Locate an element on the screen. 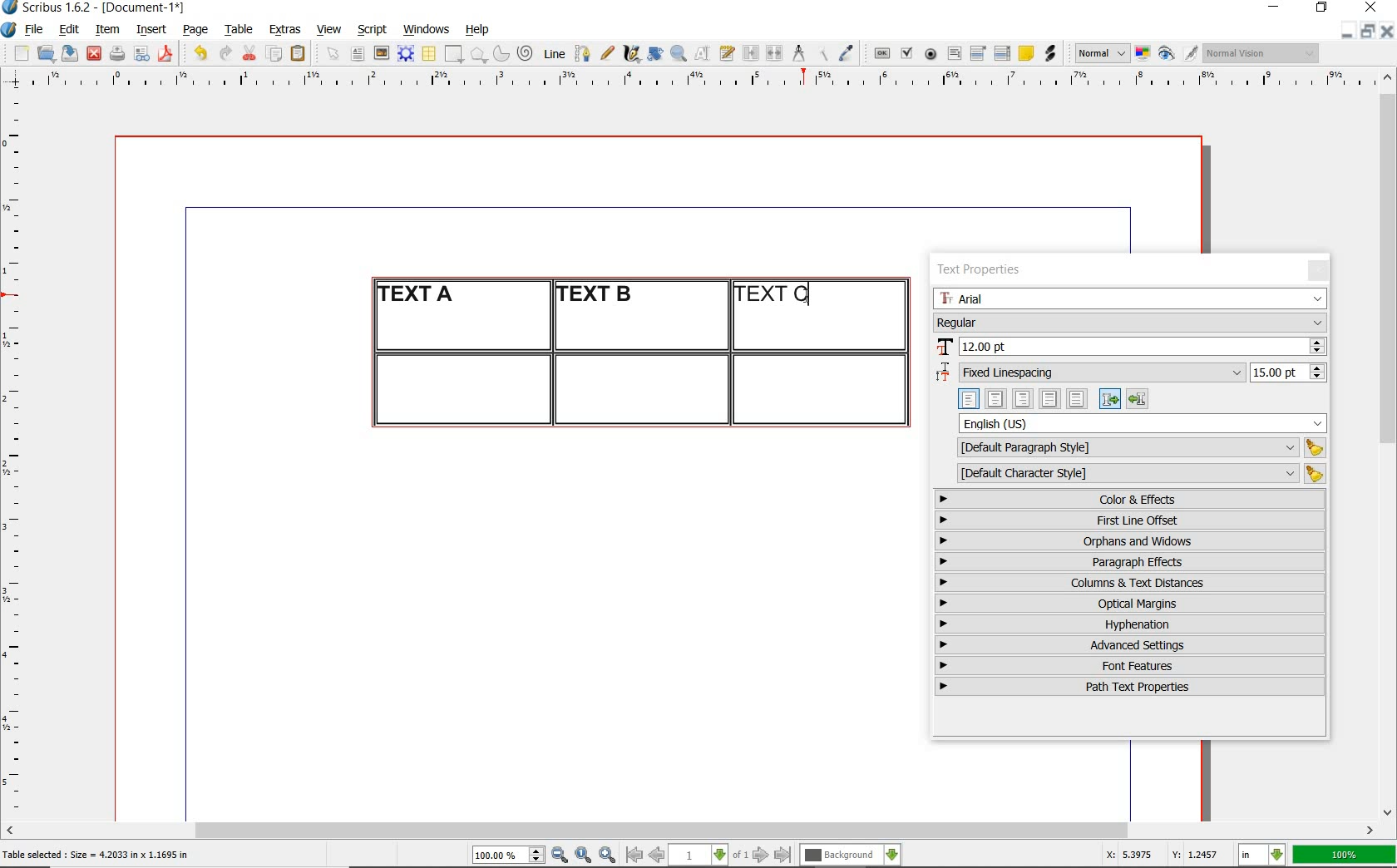 The width and height of the screenshot is (1397, 868). advanced settings is located at coordinates (1128, 644).